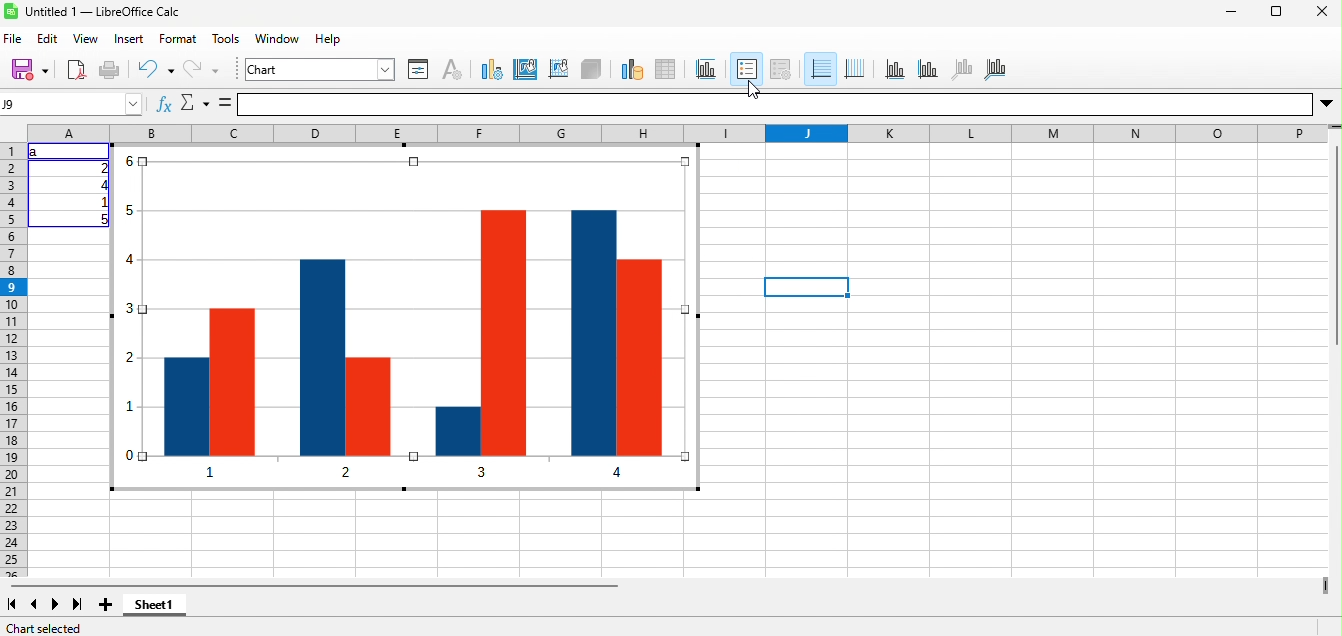 The width and height of the screenshot is (1342, 636). I want to click on Selected cell, so click(807, 287).